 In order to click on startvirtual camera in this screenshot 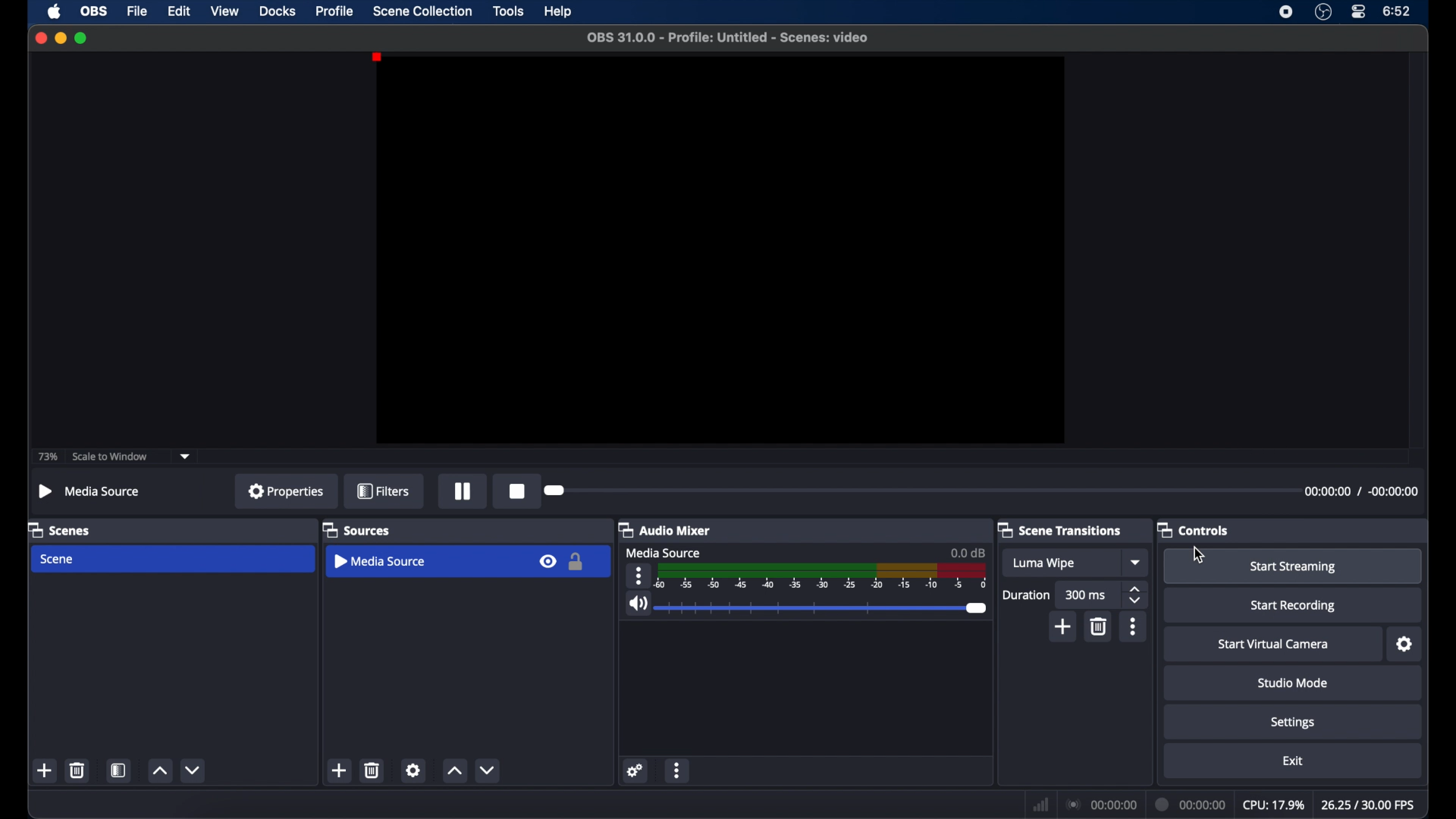, I will do `click(1272, 645)`.